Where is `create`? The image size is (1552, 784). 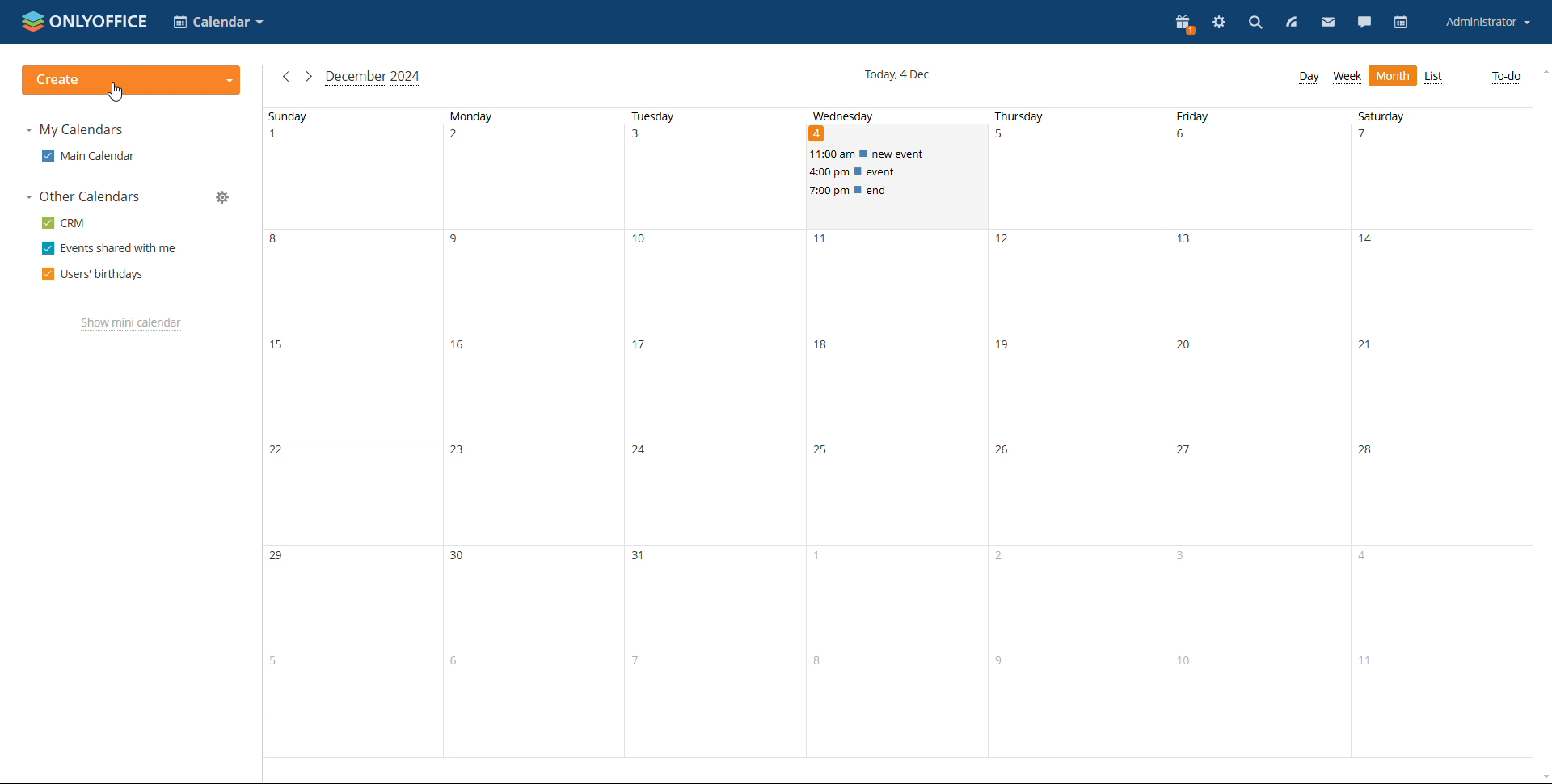 create is located at coordinates (132, 80).